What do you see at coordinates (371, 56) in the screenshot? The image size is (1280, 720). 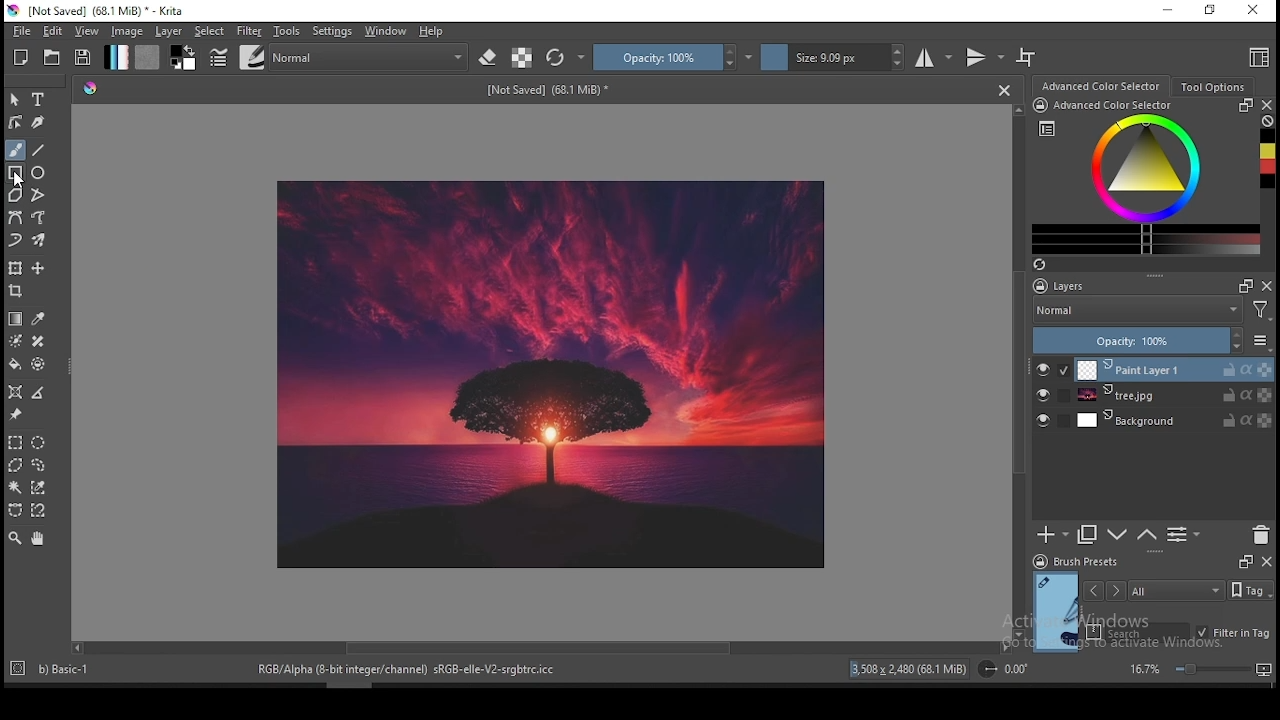 I see `blending mode` at bounding box center [371, 56].